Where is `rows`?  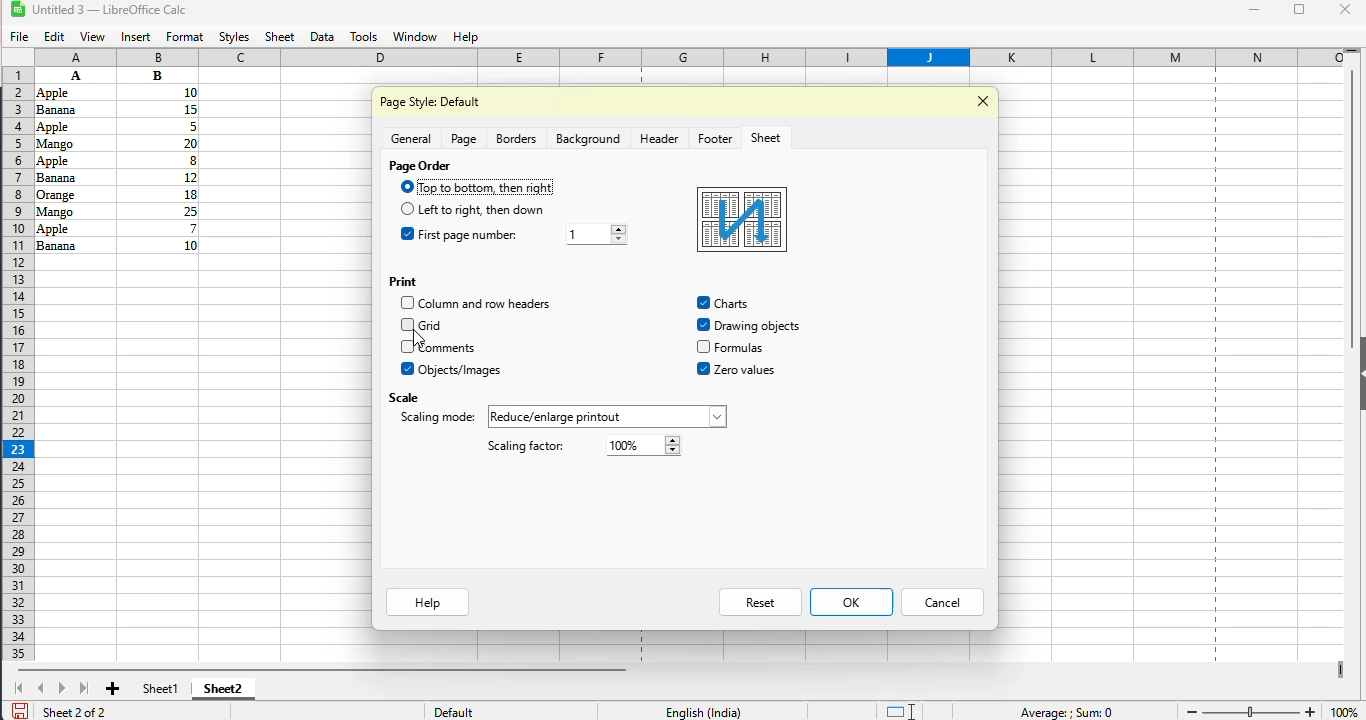 rows is located at coordinates (14, 364).